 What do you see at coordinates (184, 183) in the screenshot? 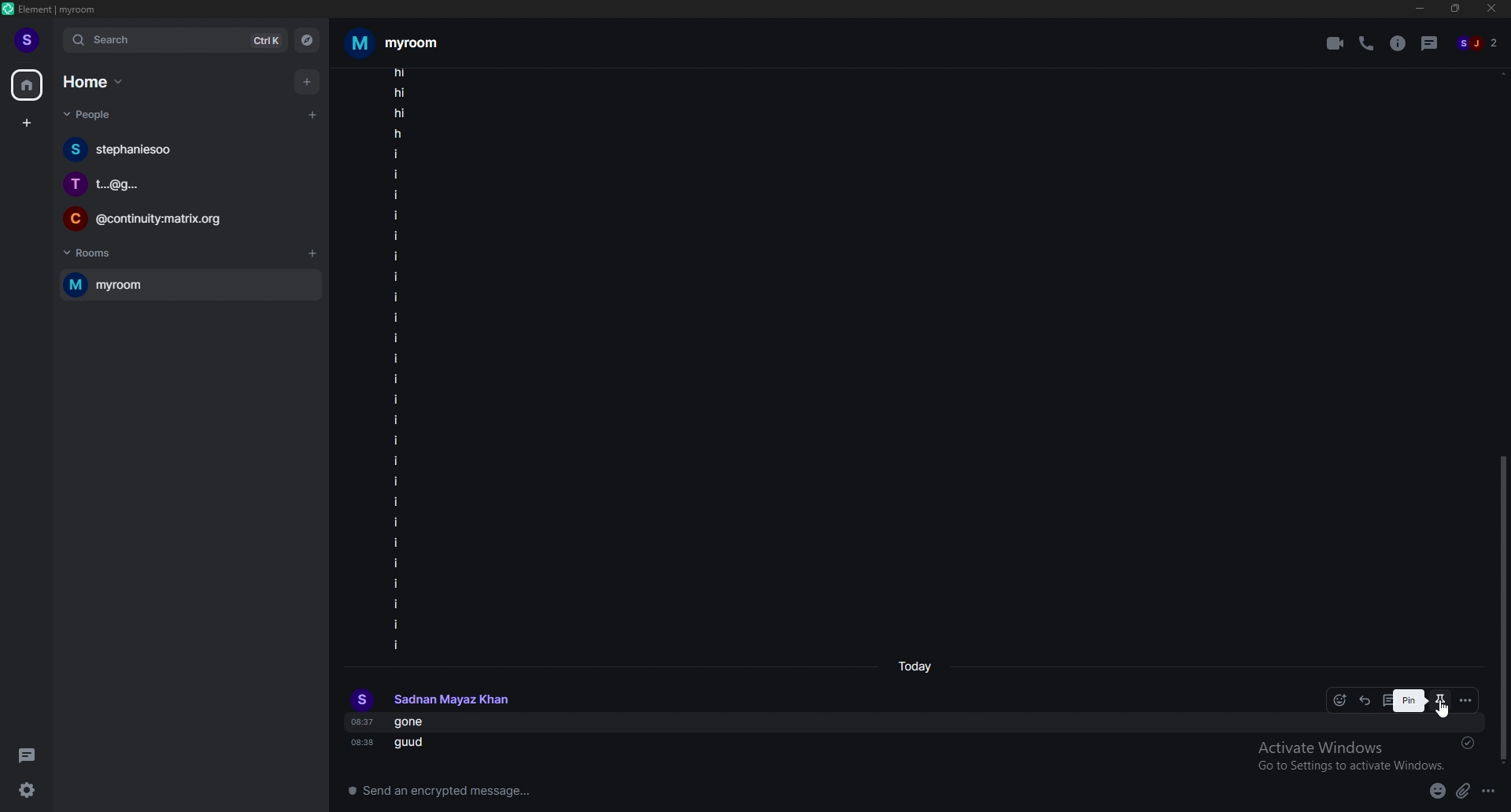
I see `chat` at bounding box center [184, 183].